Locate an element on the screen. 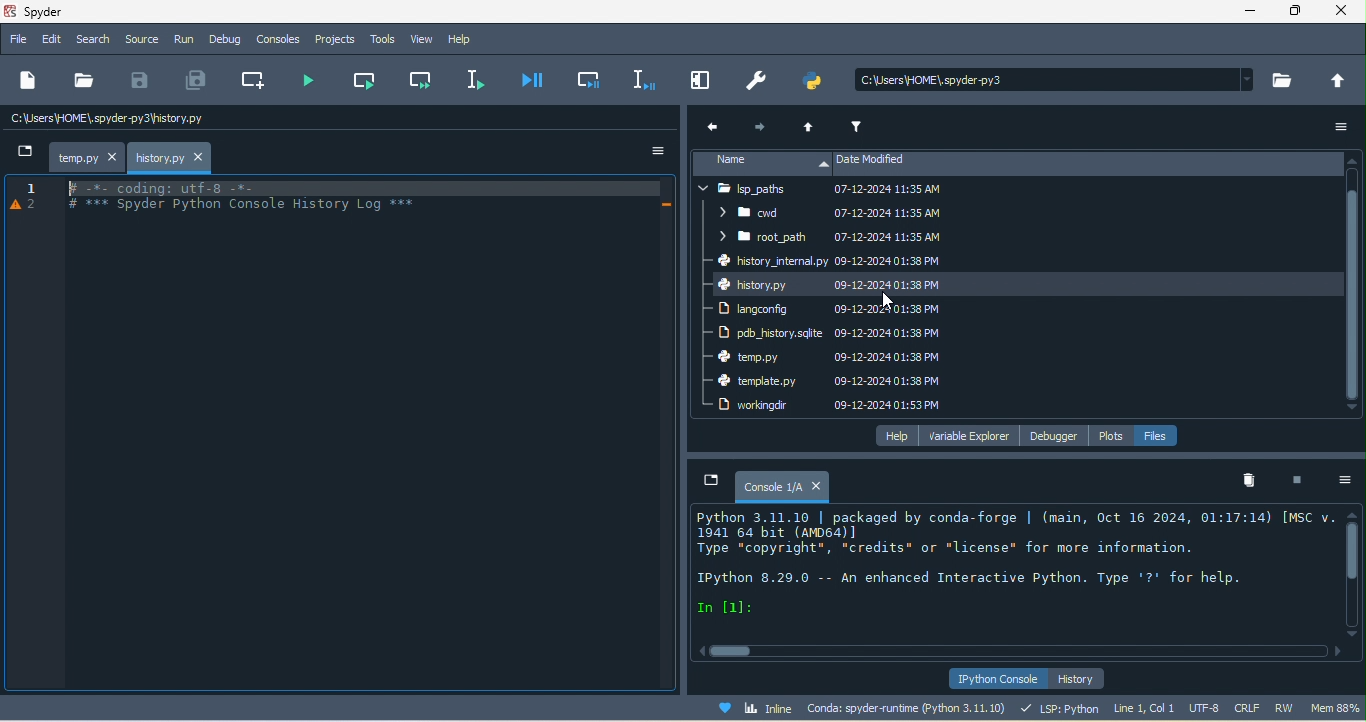 This screenshot has width=1366, height=722. debug is located at coordinates (224, 39).